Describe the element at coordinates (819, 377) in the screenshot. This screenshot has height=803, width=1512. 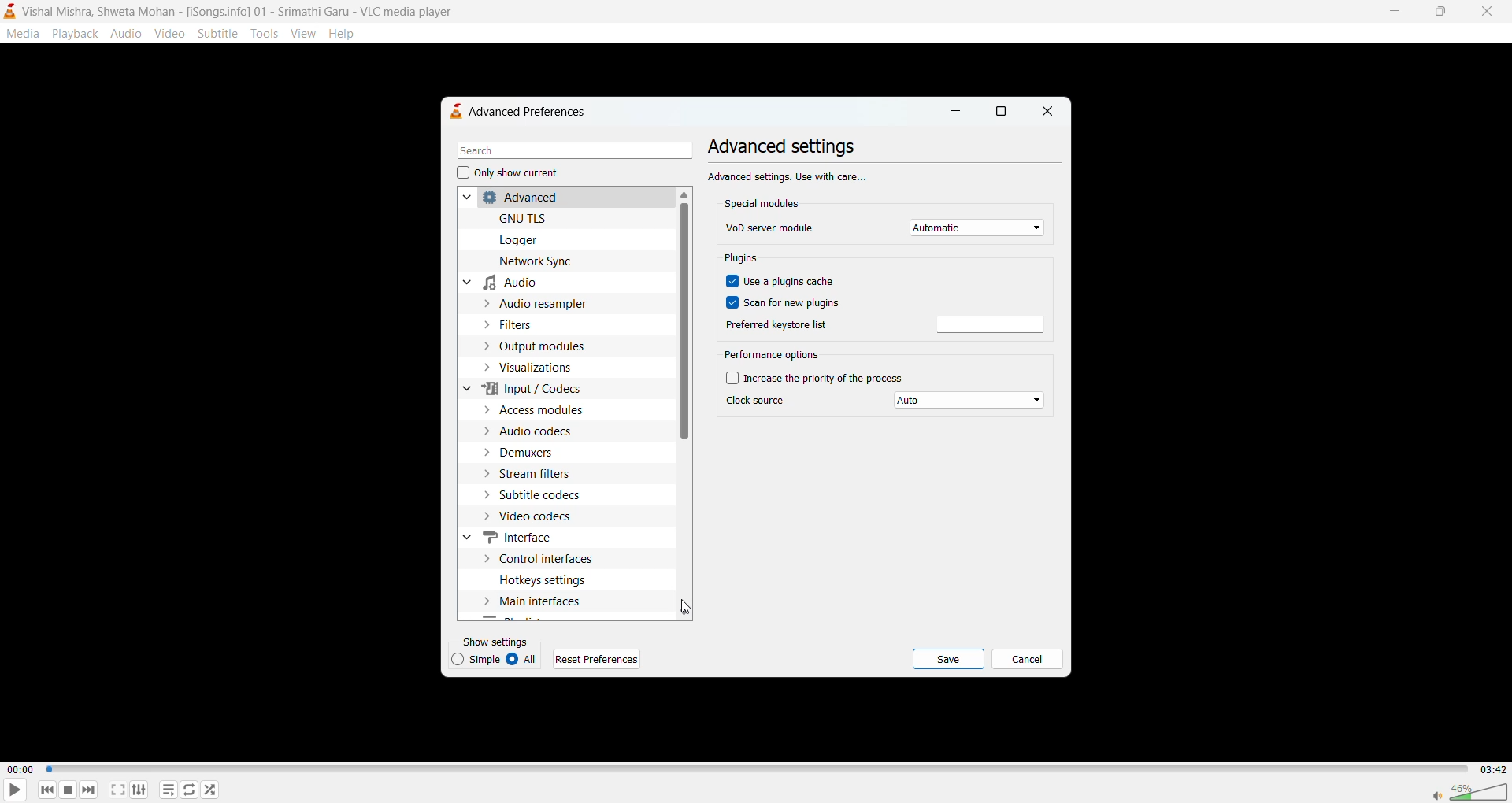
I see `increase the priority of the process` at that location.